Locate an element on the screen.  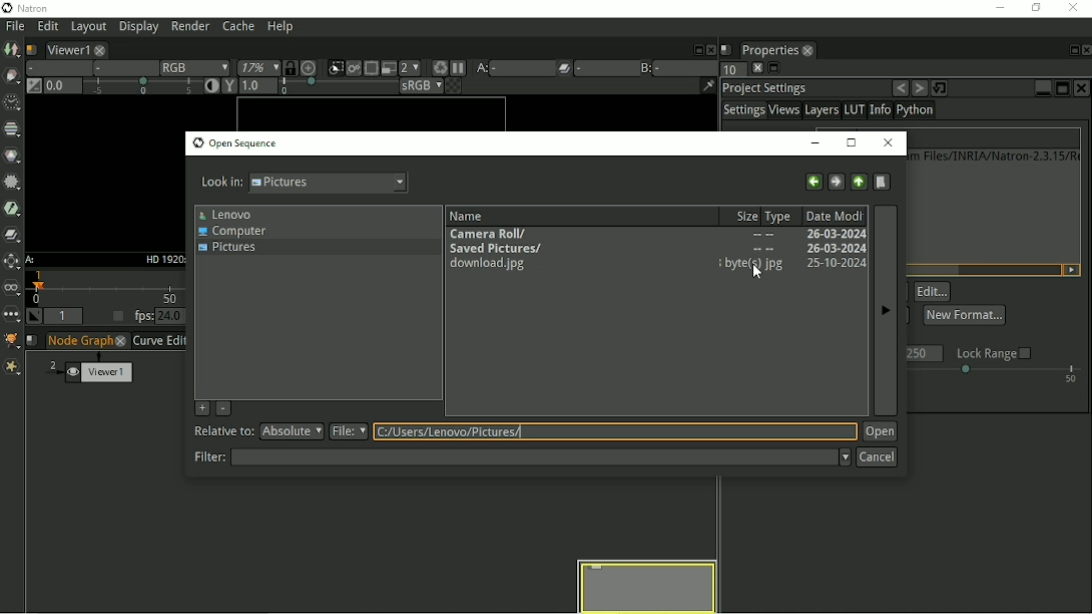
Info is located at coordinates (879, 111).